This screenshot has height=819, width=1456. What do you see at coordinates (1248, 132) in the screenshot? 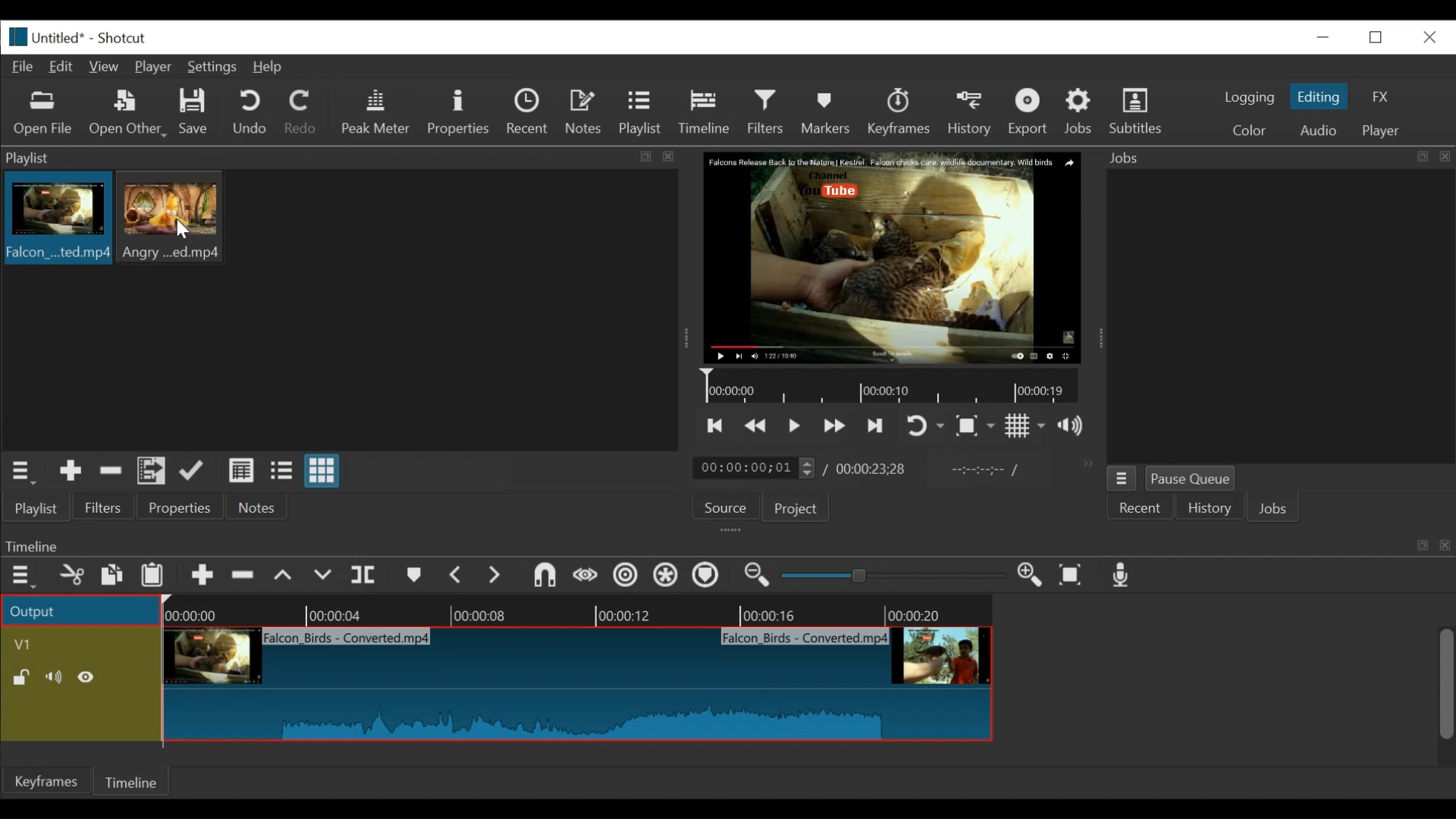
I see `color` at bounding box center [1248, 132].